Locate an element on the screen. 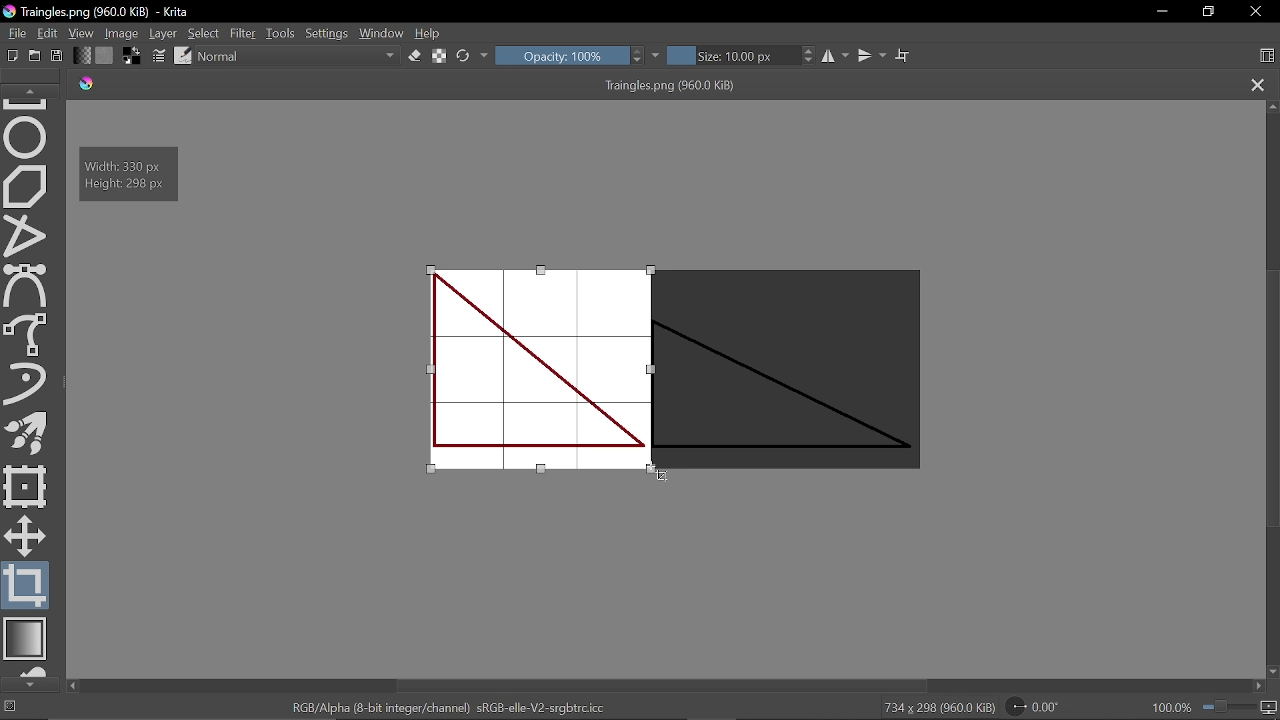 The image size is (1280, 720). Choose brush preset is located at coordinates (182, 56).